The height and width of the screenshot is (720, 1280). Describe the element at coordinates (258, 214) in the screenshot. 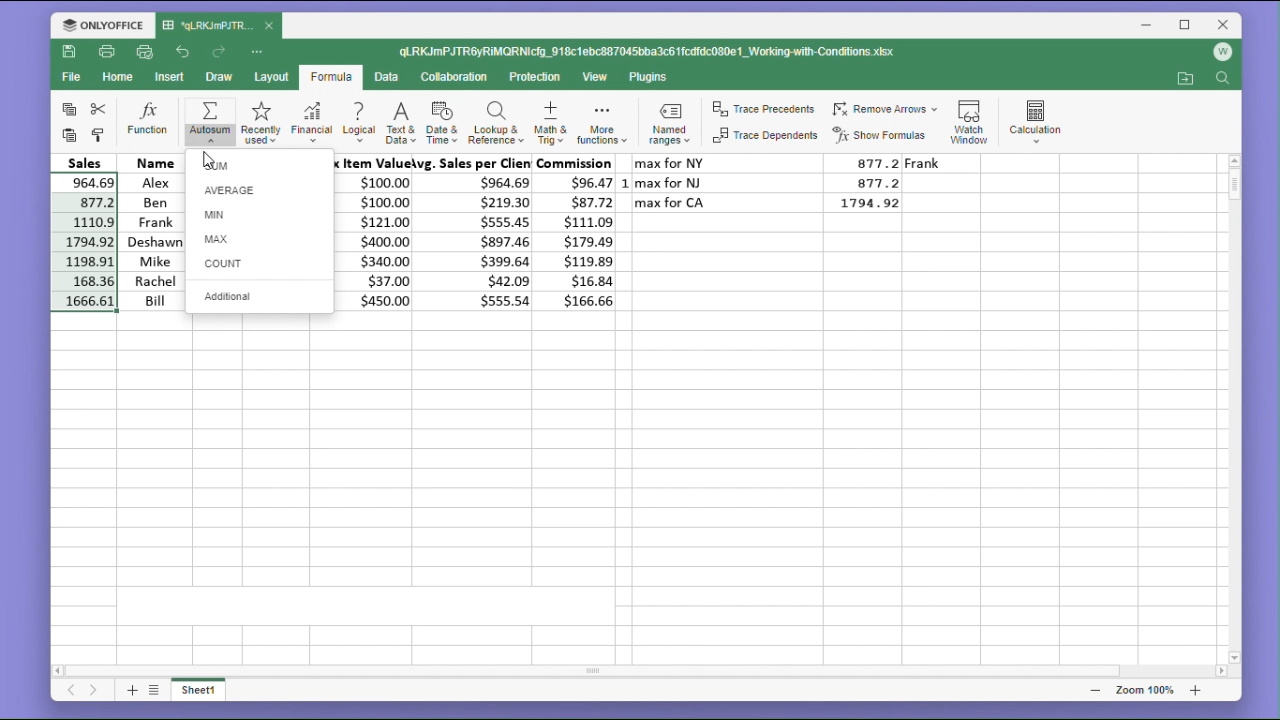

I see `min` at that location.